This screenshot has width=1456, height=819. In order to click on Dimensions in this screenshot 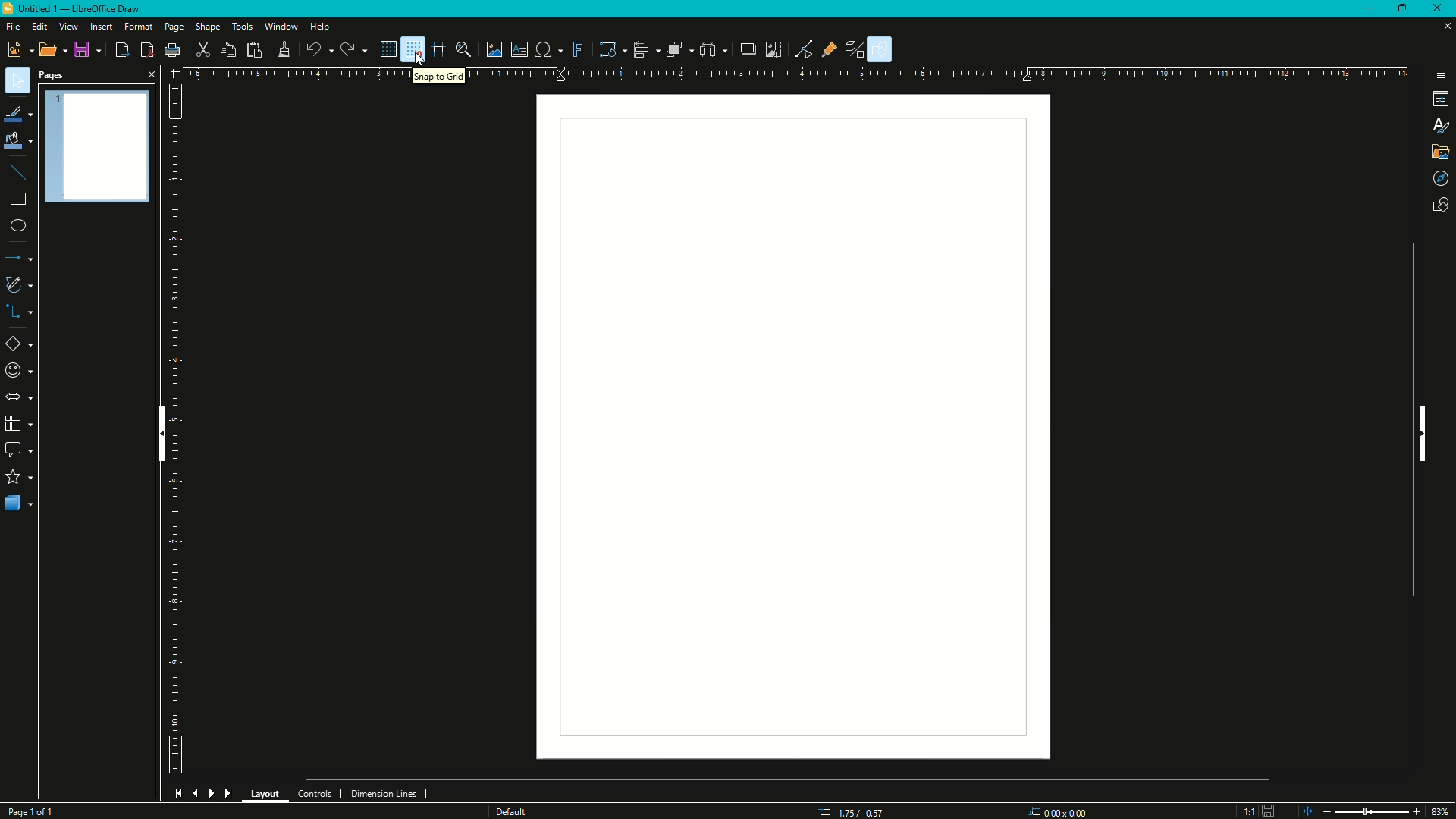, I will do `click(1061, 808)`.